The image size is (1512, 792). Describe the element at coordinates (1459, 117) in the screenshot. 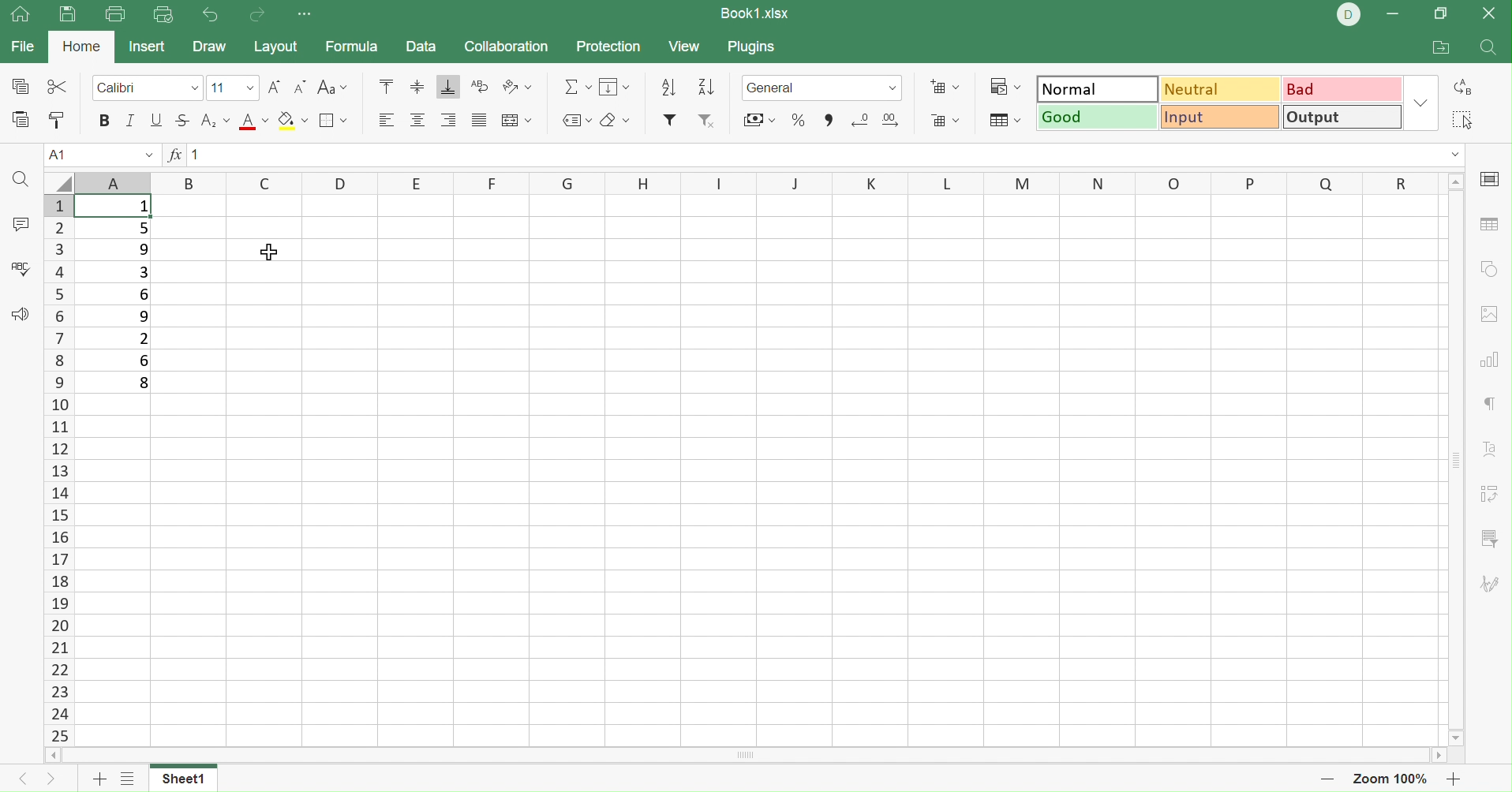

I see `Select all` at that location.